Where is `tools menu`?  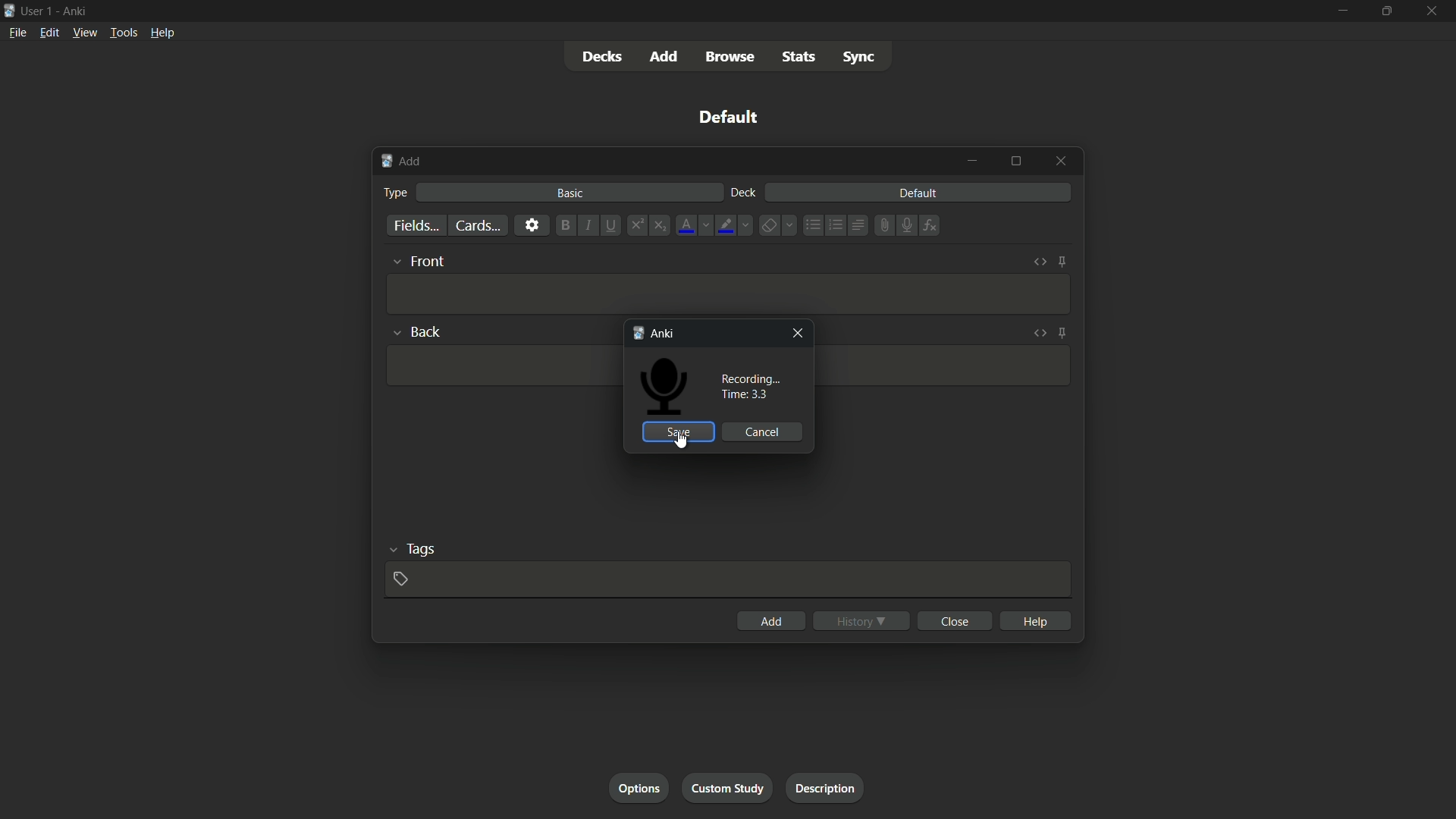
tools menu is located at coordinates (124, 33).